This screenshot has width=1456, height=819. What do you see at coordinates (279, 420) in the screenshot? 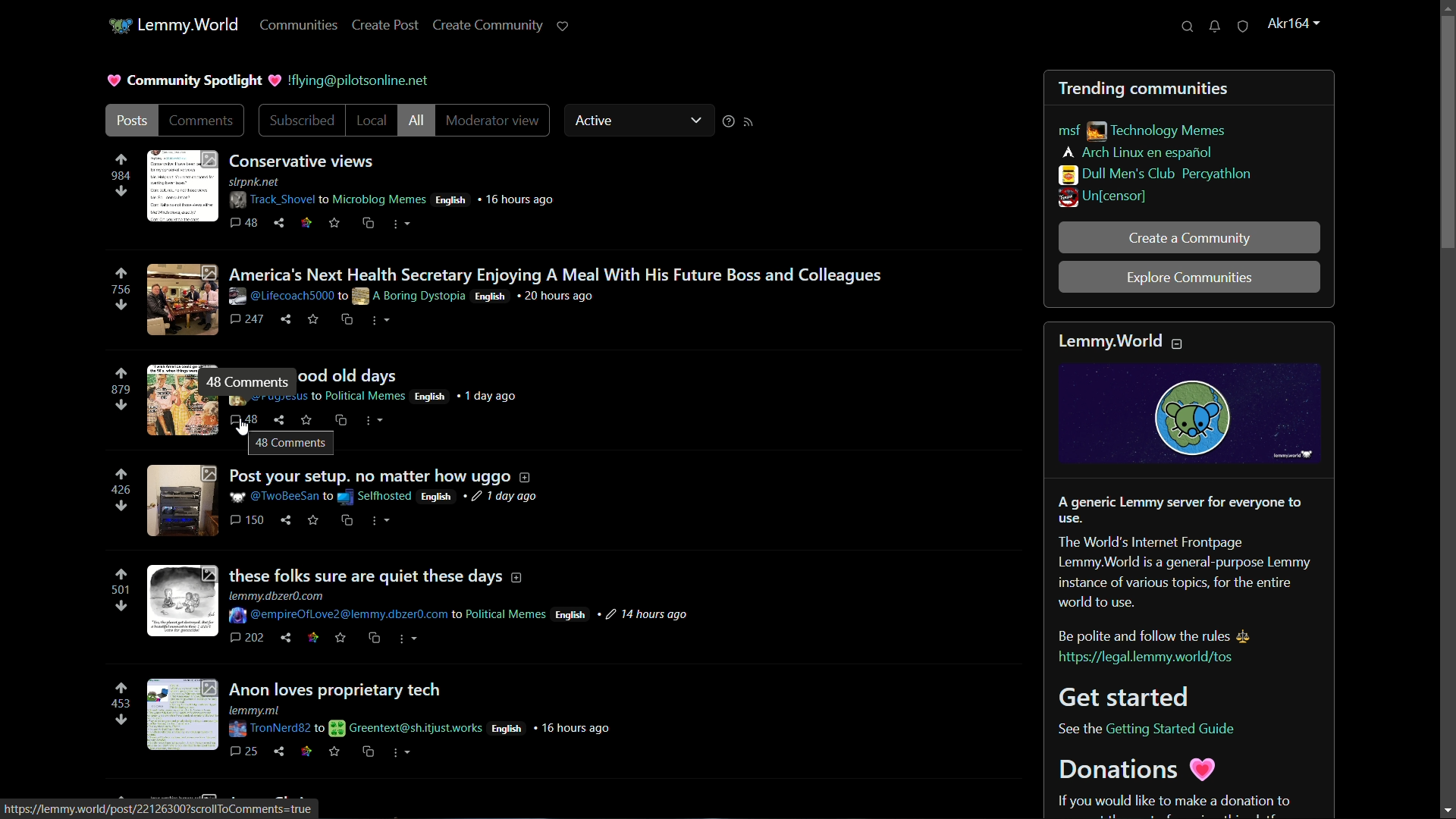
I see `share` at bounding box center [279, 420].